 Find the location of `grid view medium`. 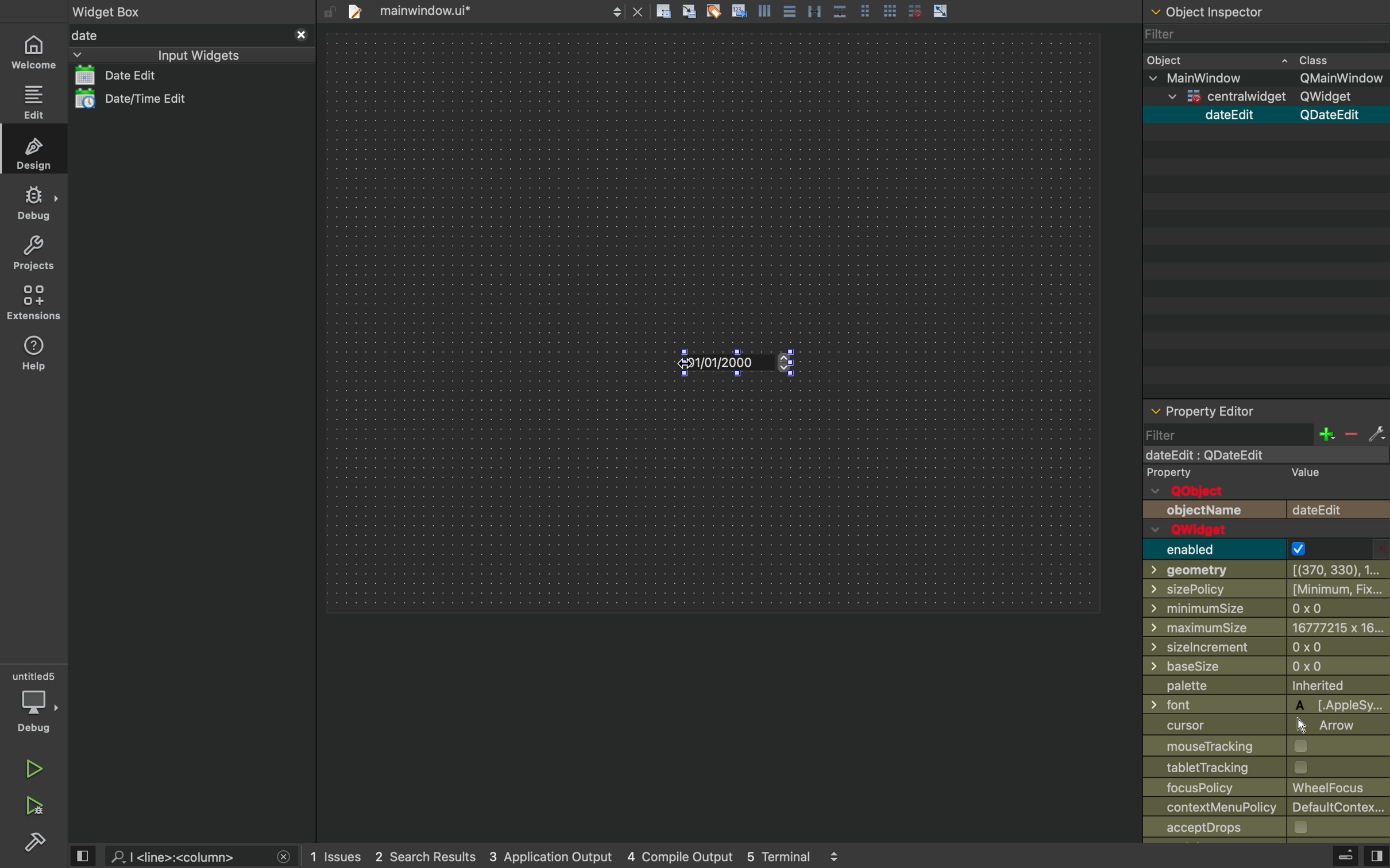

grid view medium is located at coordinates (864, 10).